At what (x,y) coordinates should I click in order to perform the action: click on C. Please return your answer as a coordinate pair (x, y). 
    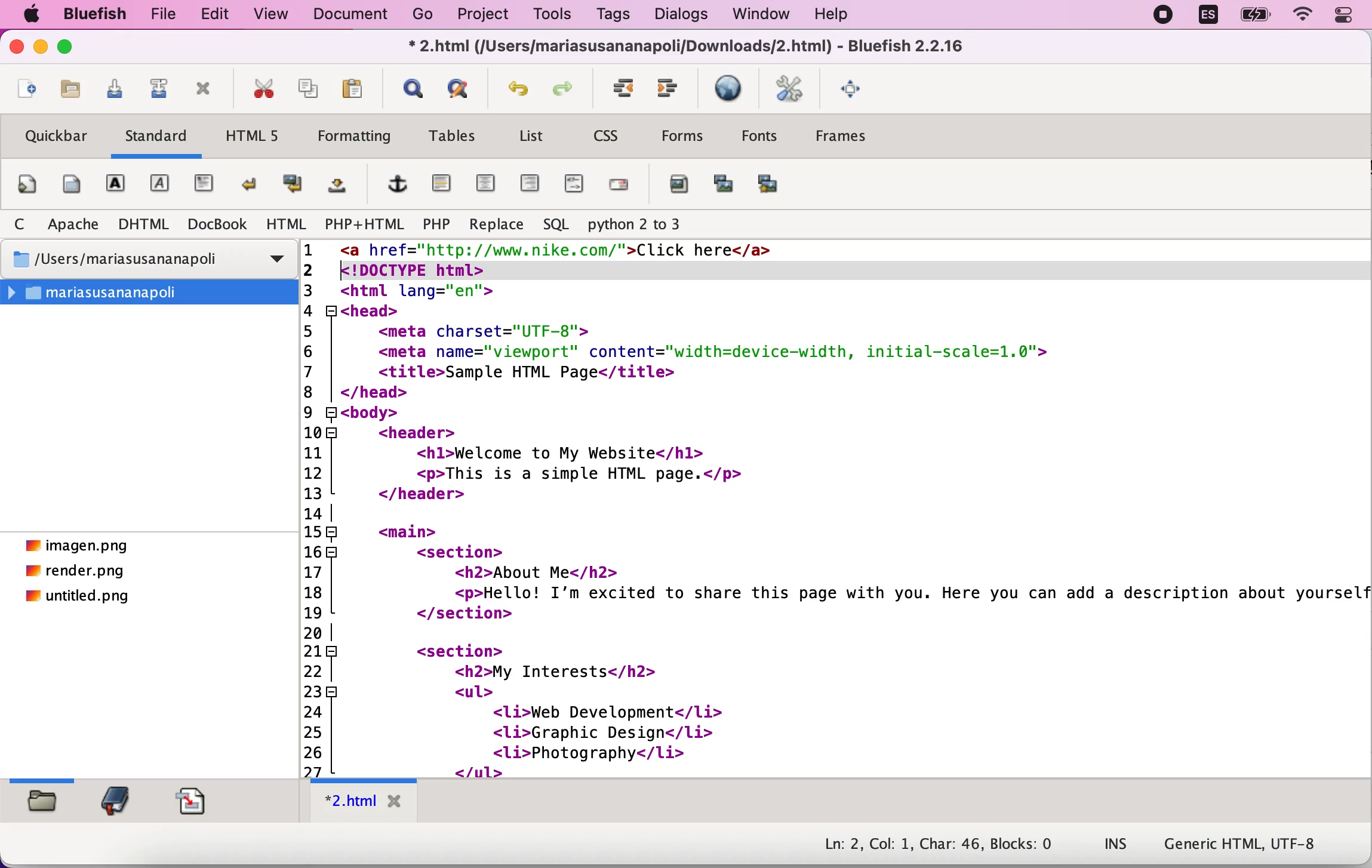
    Looking at the image, I should click on (17, 221).